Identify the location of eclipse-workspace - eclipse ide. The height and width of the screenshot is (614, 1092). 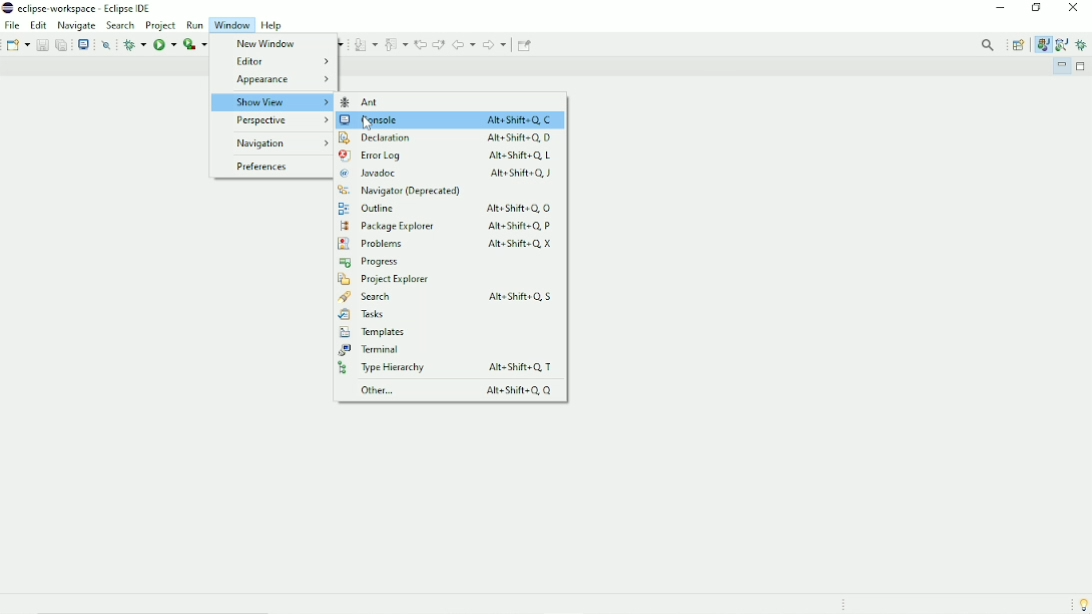
(92, 7).